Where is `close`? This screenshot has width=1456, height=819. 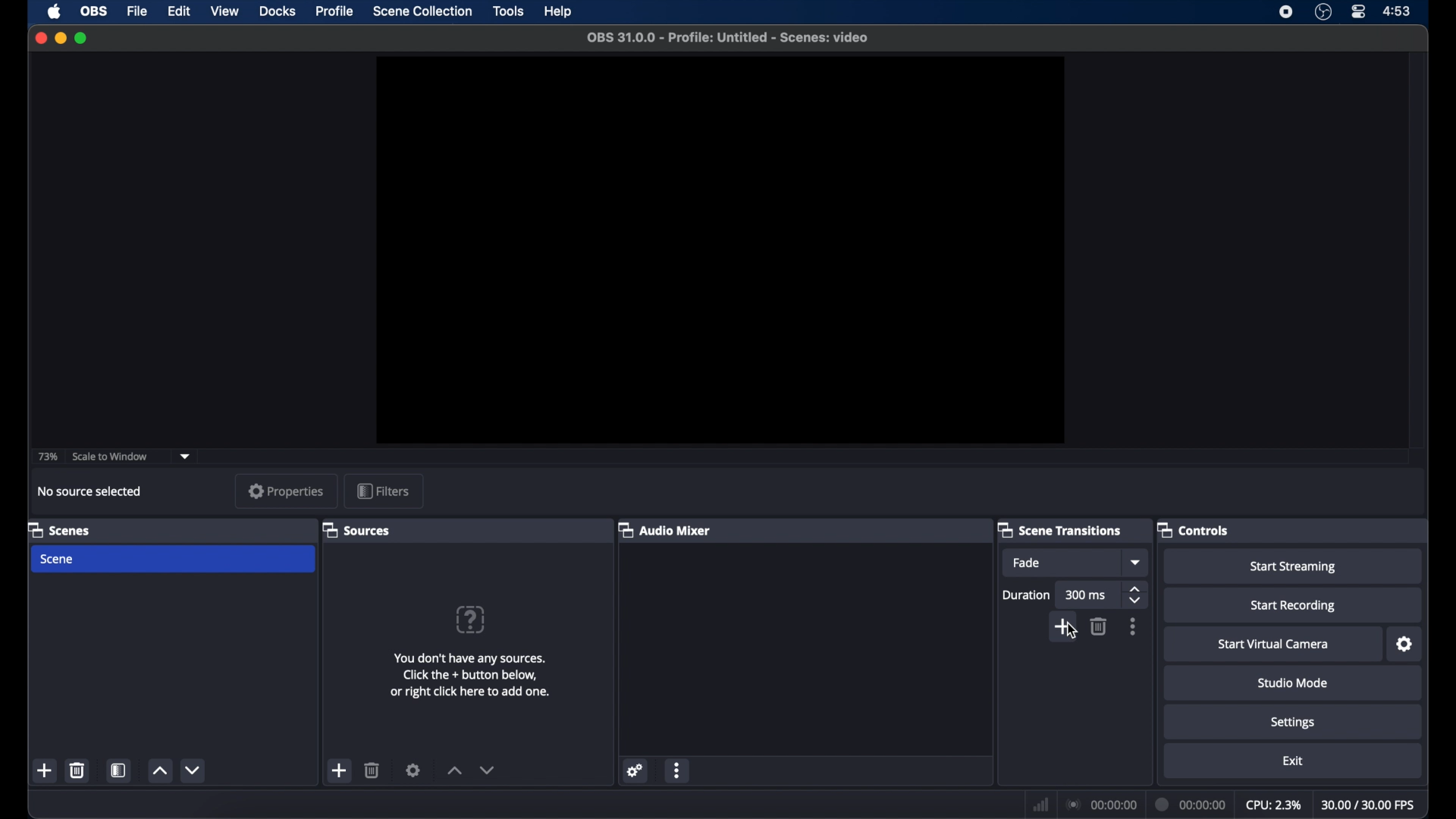 close is located at coordinates (40, 38).